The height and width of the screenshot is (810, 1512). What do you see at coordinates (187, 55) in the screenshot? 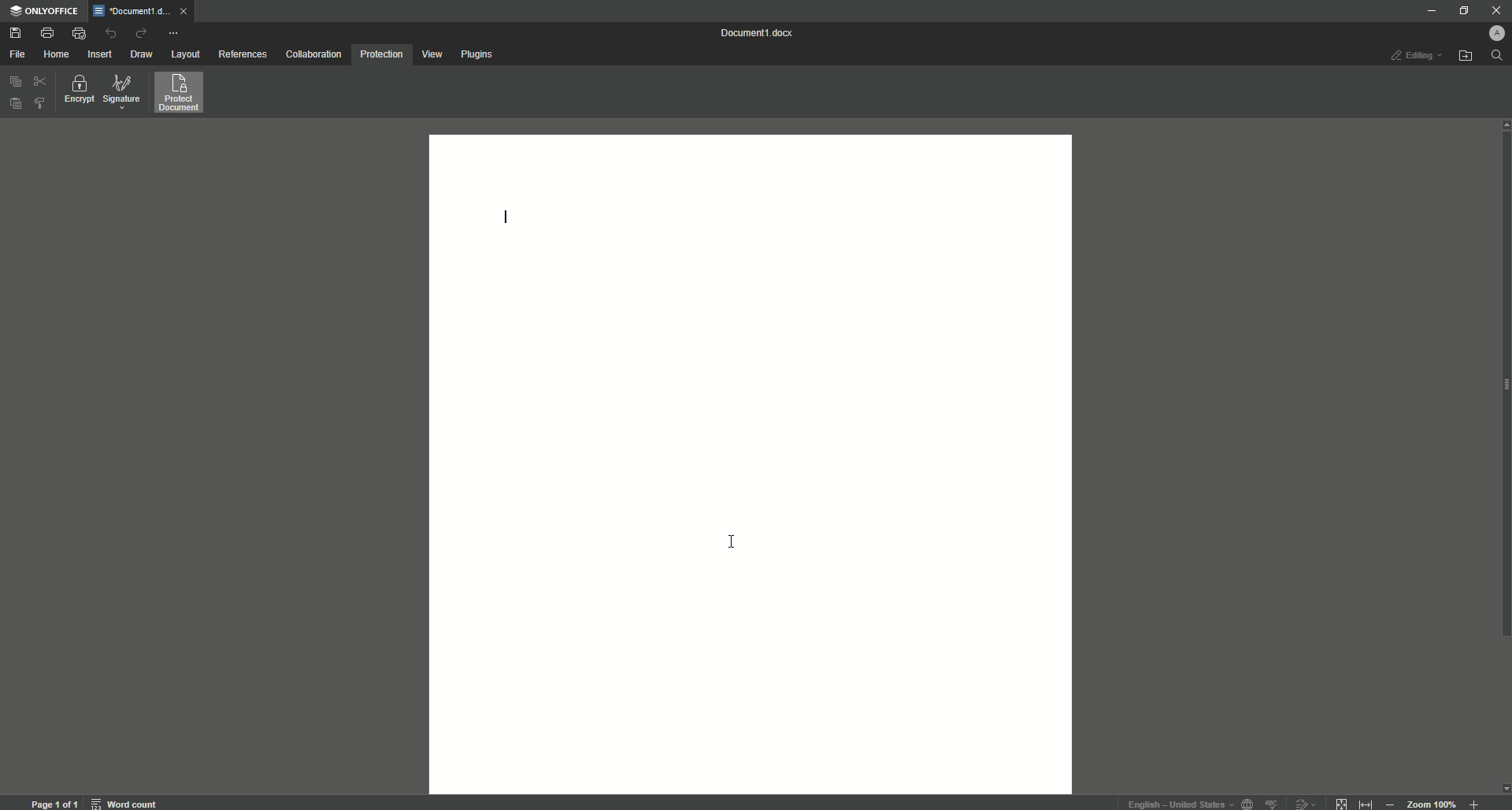
I see `Layout` at bounding box center [187, 55].